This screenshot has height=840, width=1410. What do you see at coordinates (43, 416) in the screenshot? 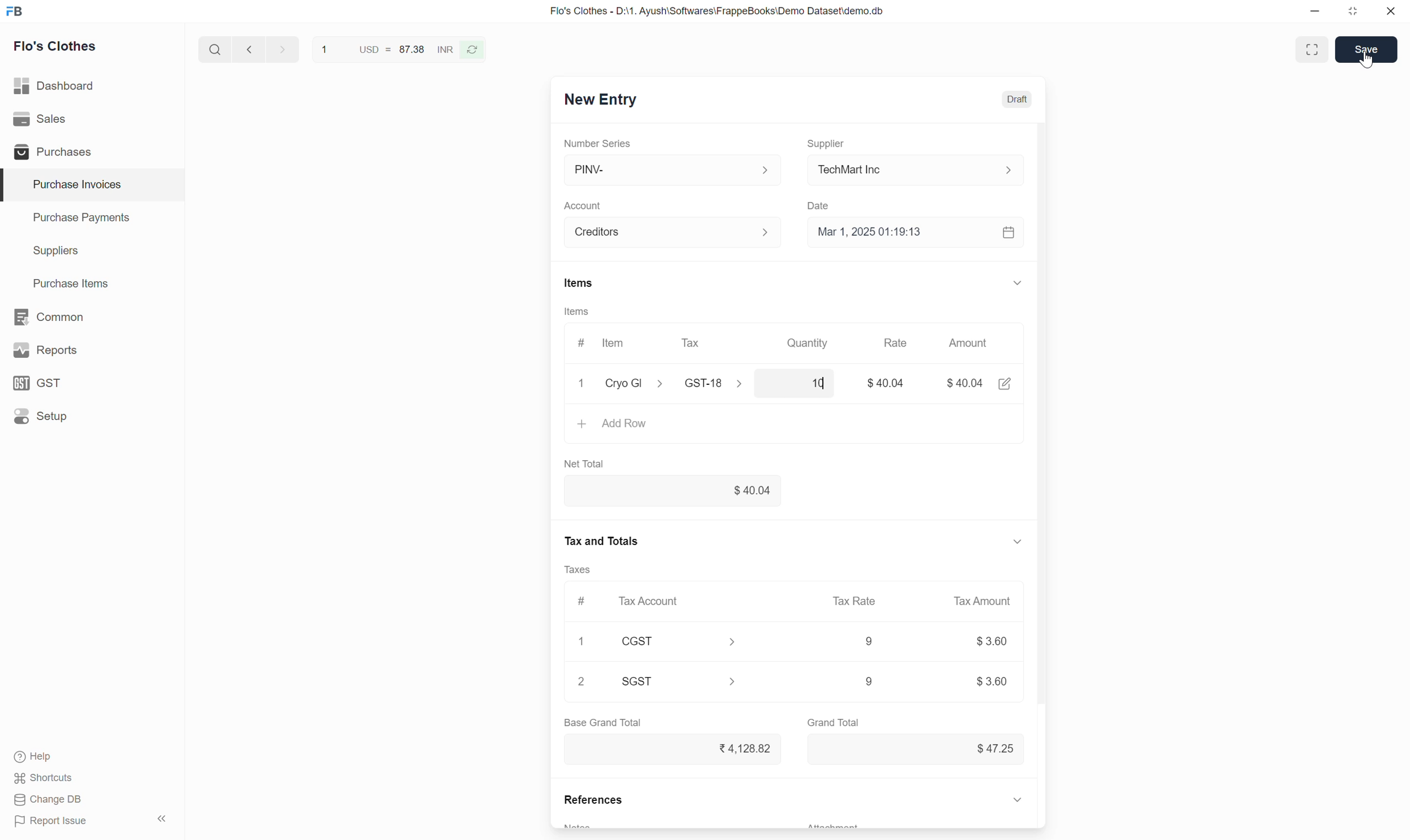
I see `Setup` at bounding box center [43, 416].